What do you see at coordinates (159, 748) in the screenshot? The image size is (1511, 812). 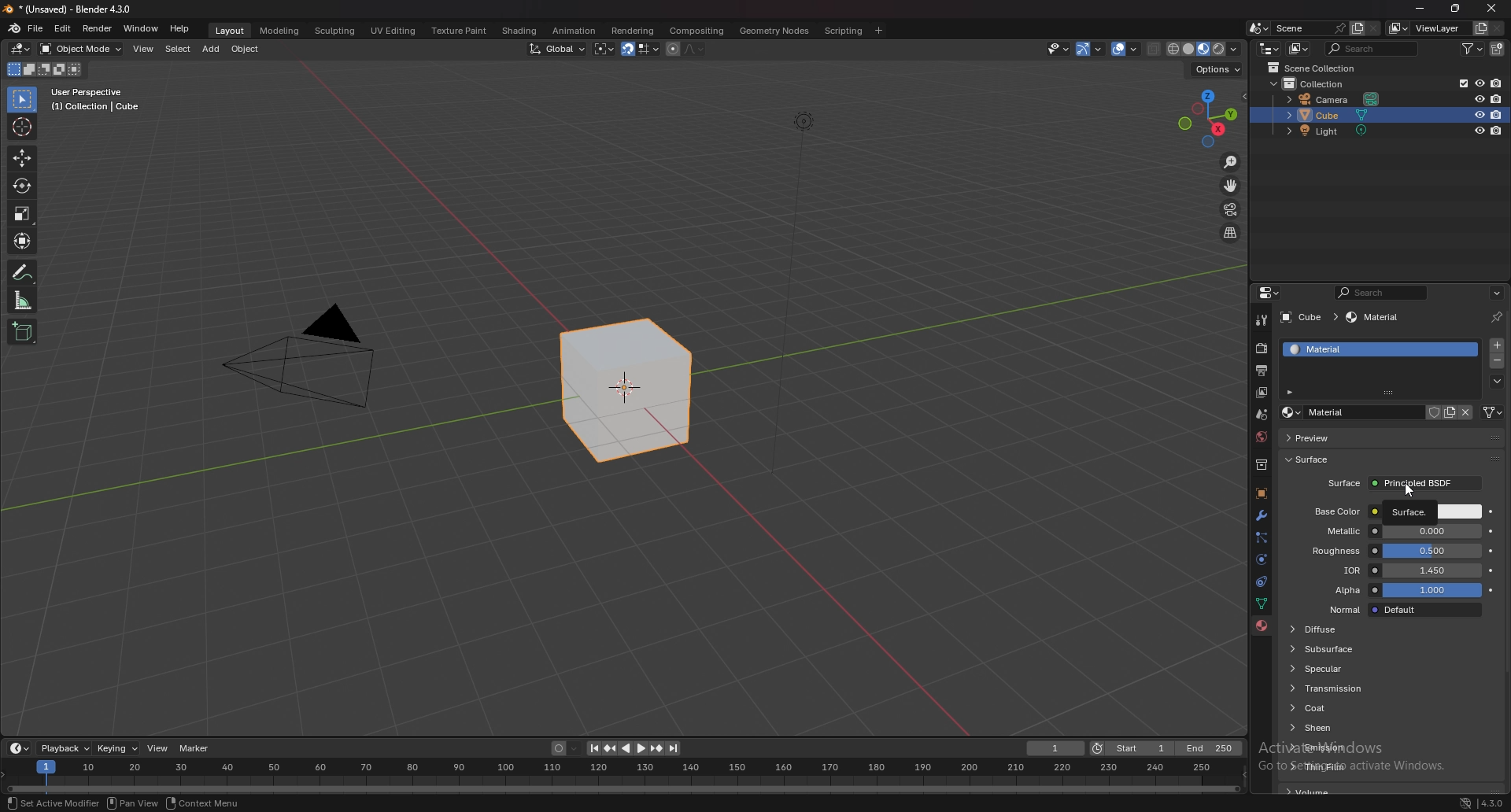 I see `view` at bounding box center [159, 748].